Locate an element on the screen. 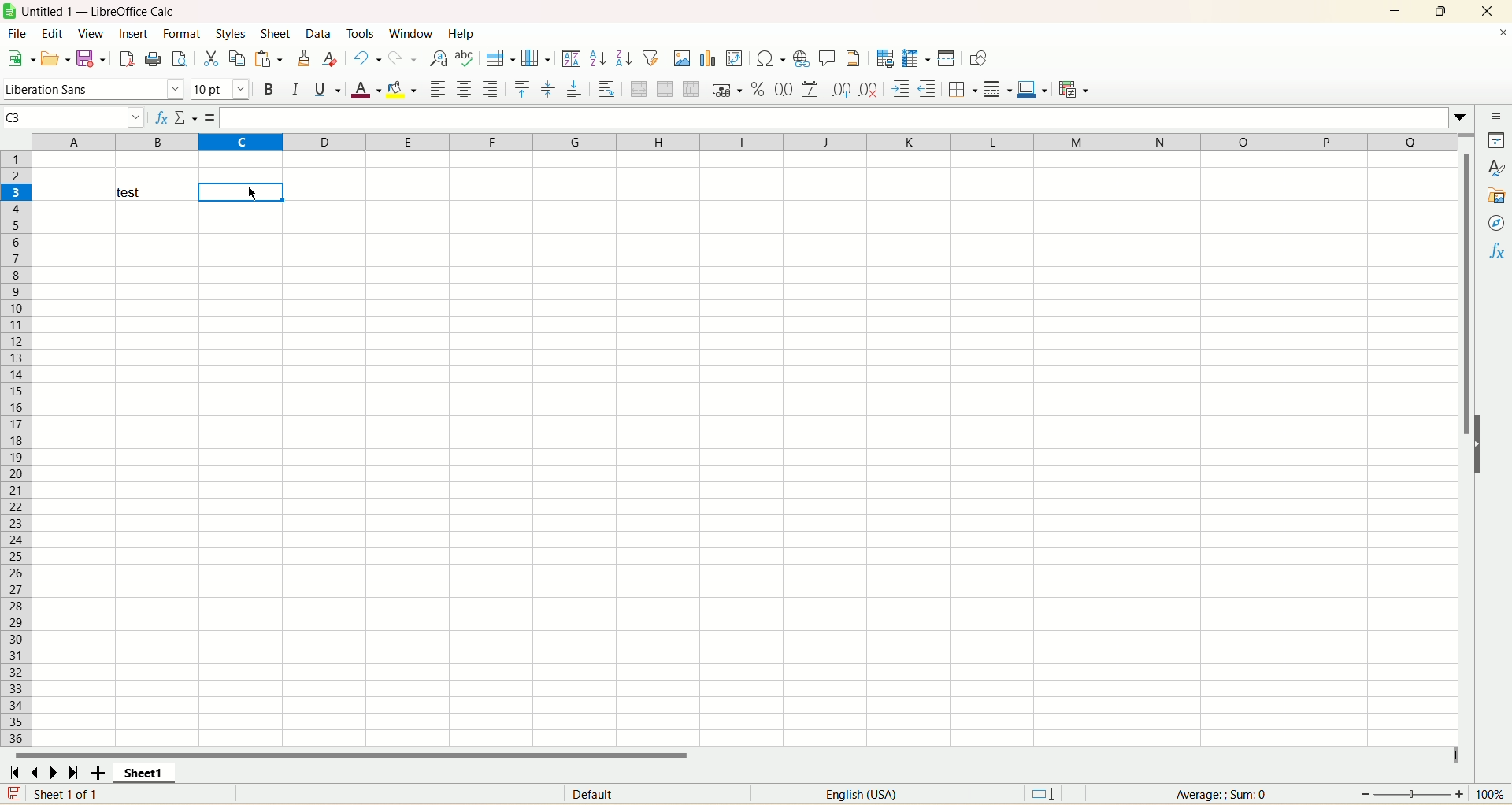  Freeze rows and columns is located at coordinates (916, 58).